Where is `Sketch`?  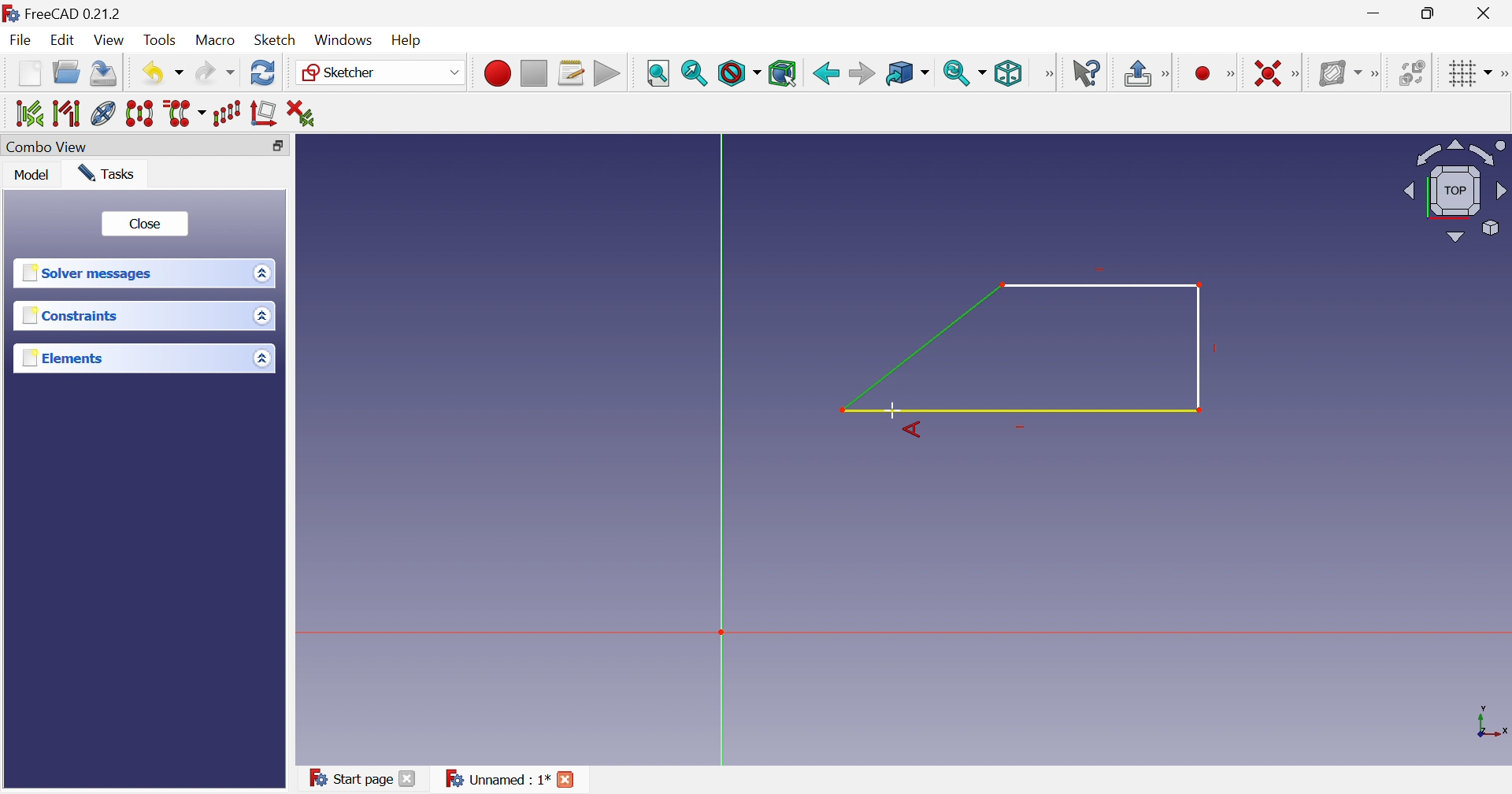 Sketch is located at coordinates (276, 40).